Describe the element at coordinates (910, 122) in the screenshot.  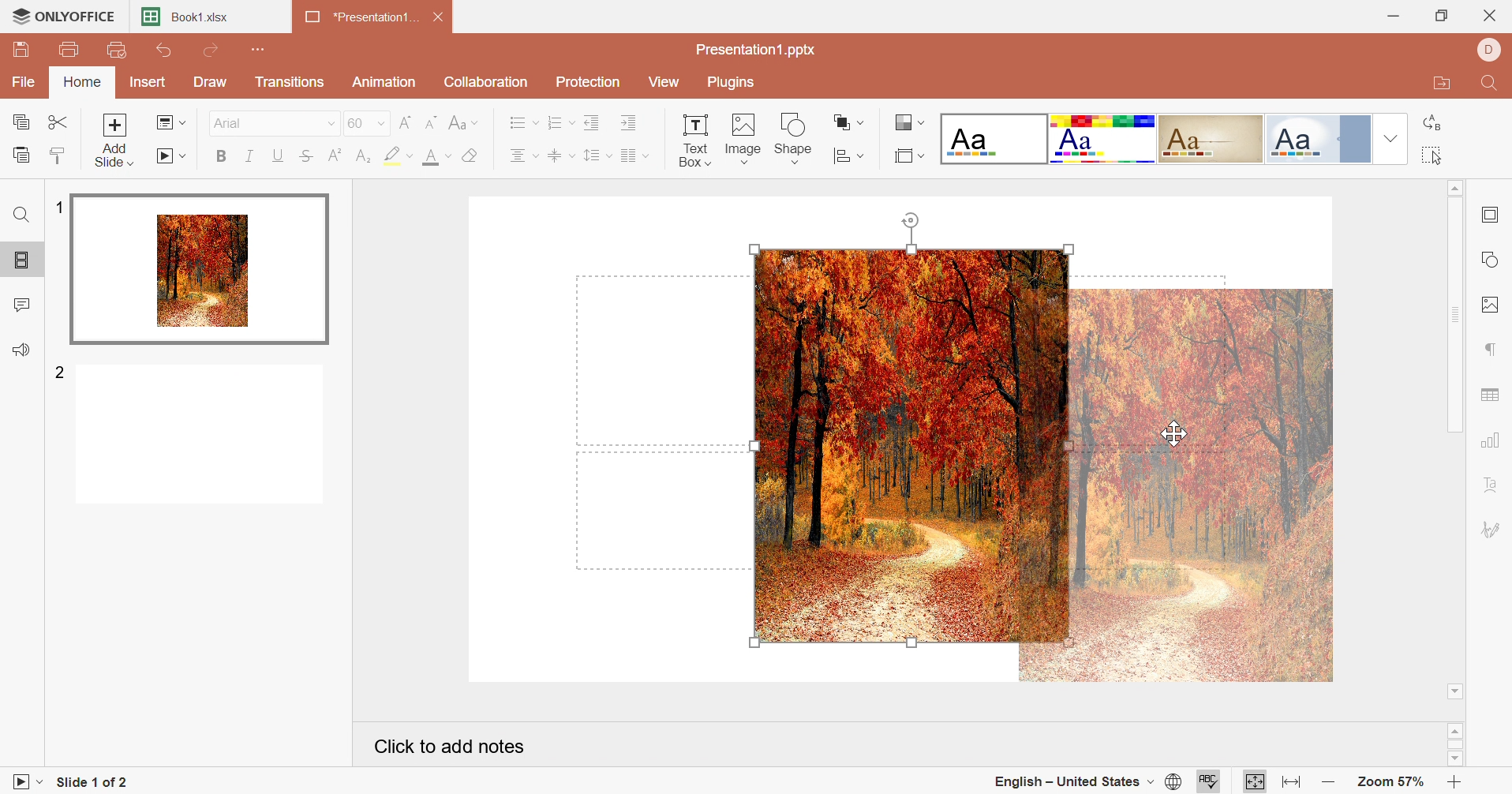
I see `Change color theme` at that location.